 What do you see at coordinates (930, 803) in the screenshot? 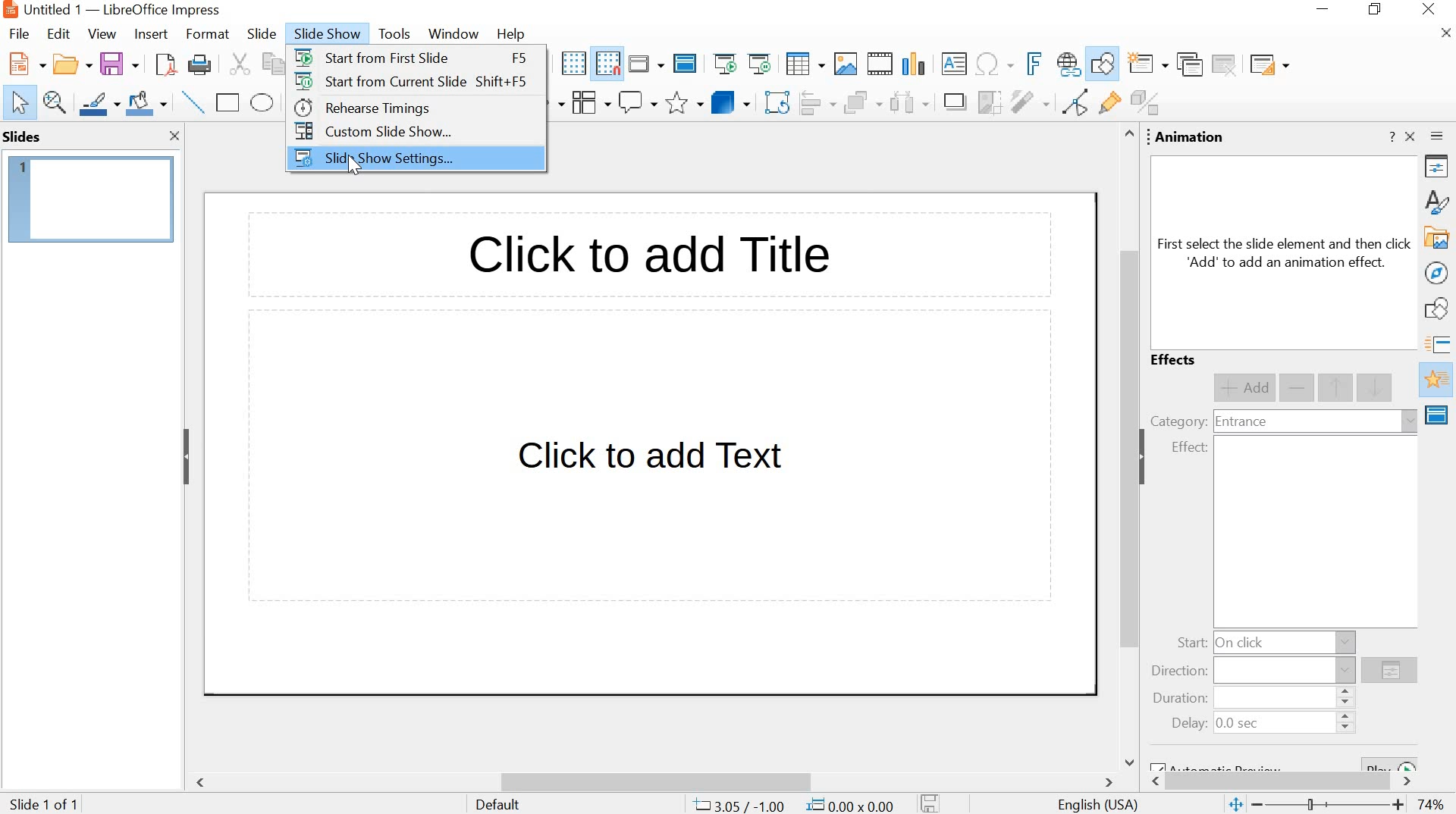
I see `modify document` at bounding box center [930, 803].